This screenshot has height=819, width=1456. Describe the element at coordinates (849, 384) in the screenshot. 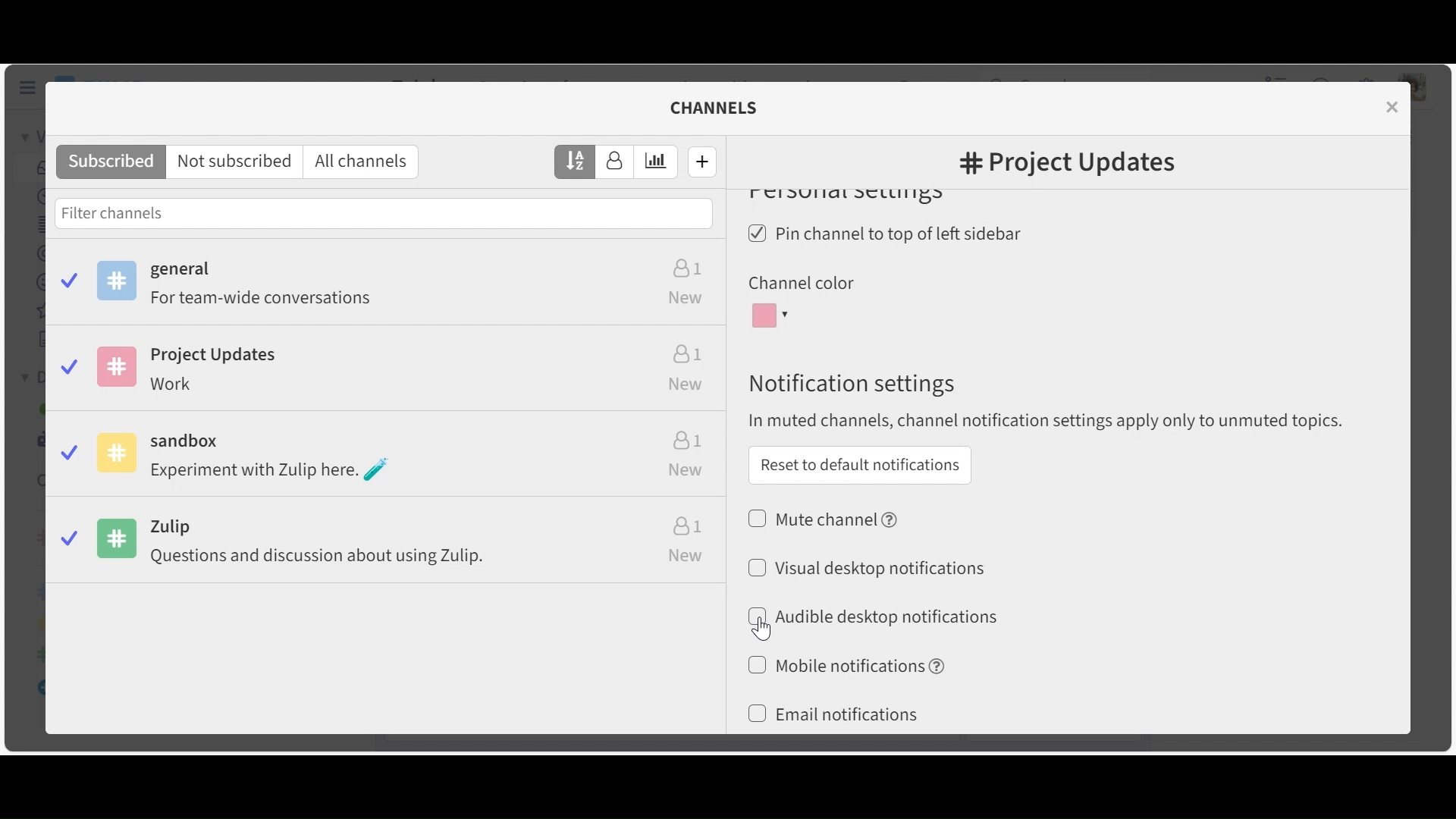

I see `Notification settings` at that location.